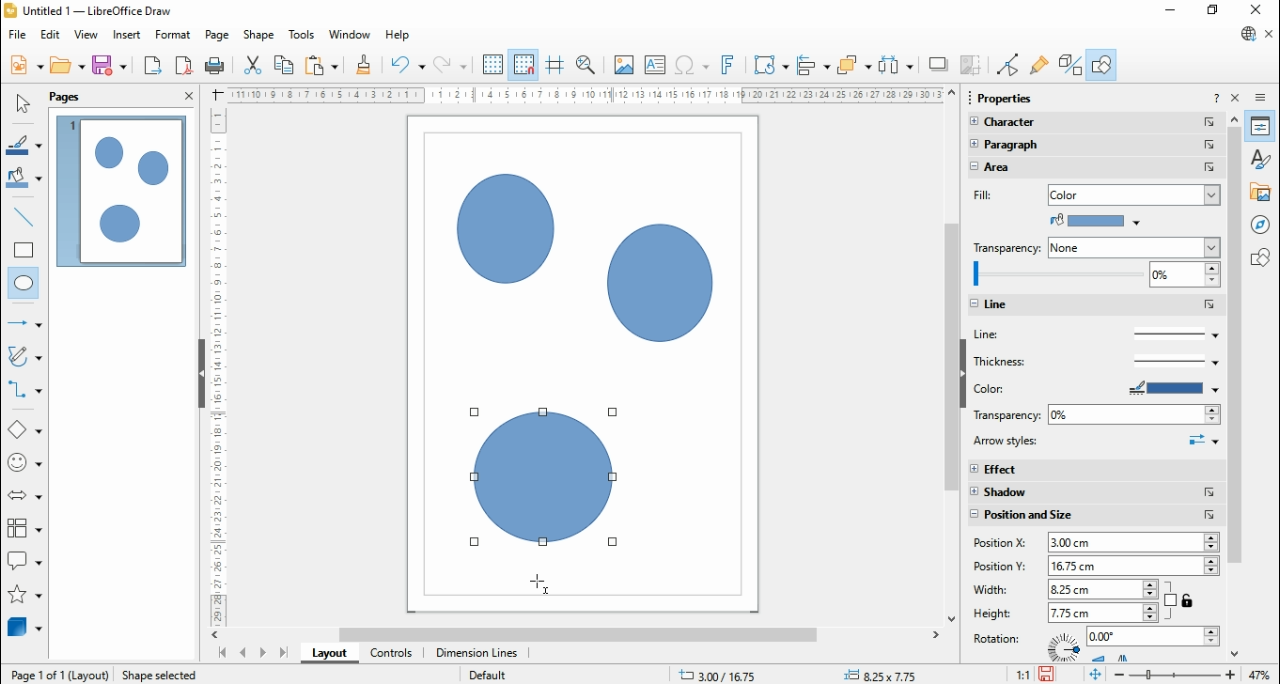 Image resolution: width=1280 pixels, height=684 pixels. I want to click on block arrows, so click(27, 497).